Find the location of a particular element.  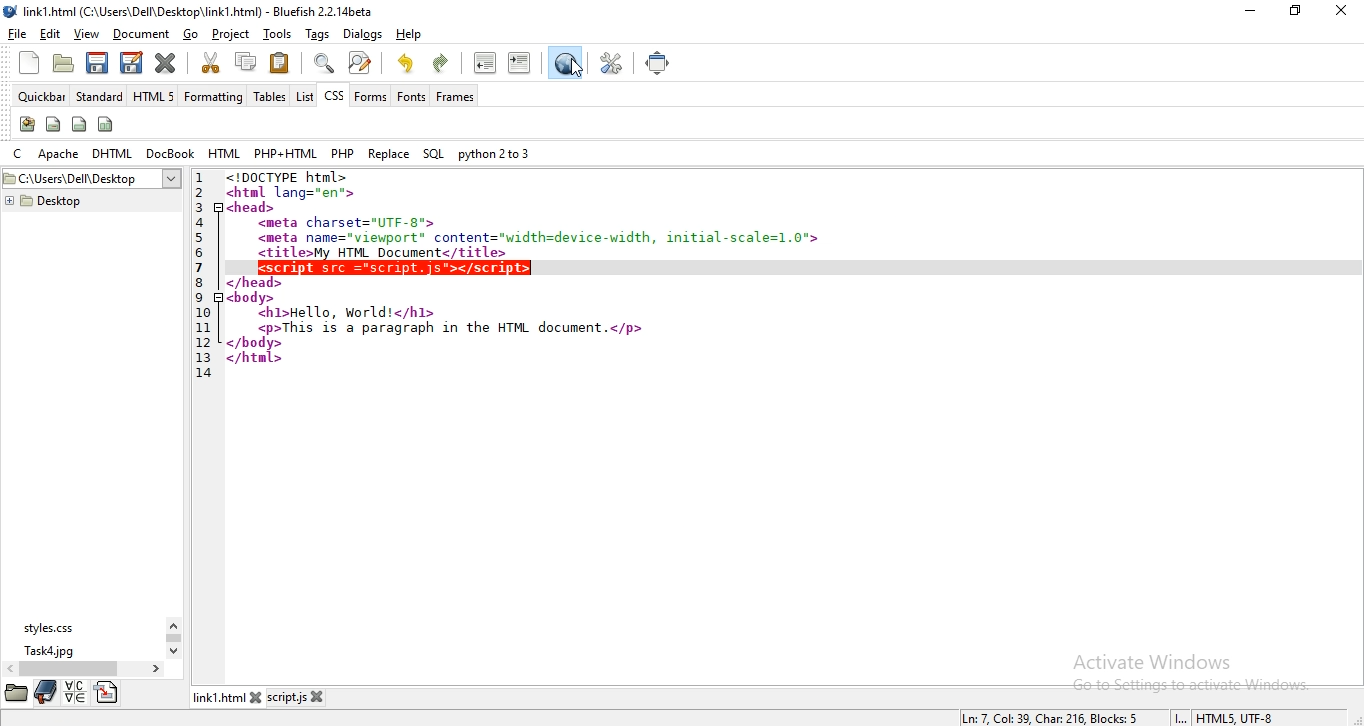

2 is located at coordinates (199, 193).